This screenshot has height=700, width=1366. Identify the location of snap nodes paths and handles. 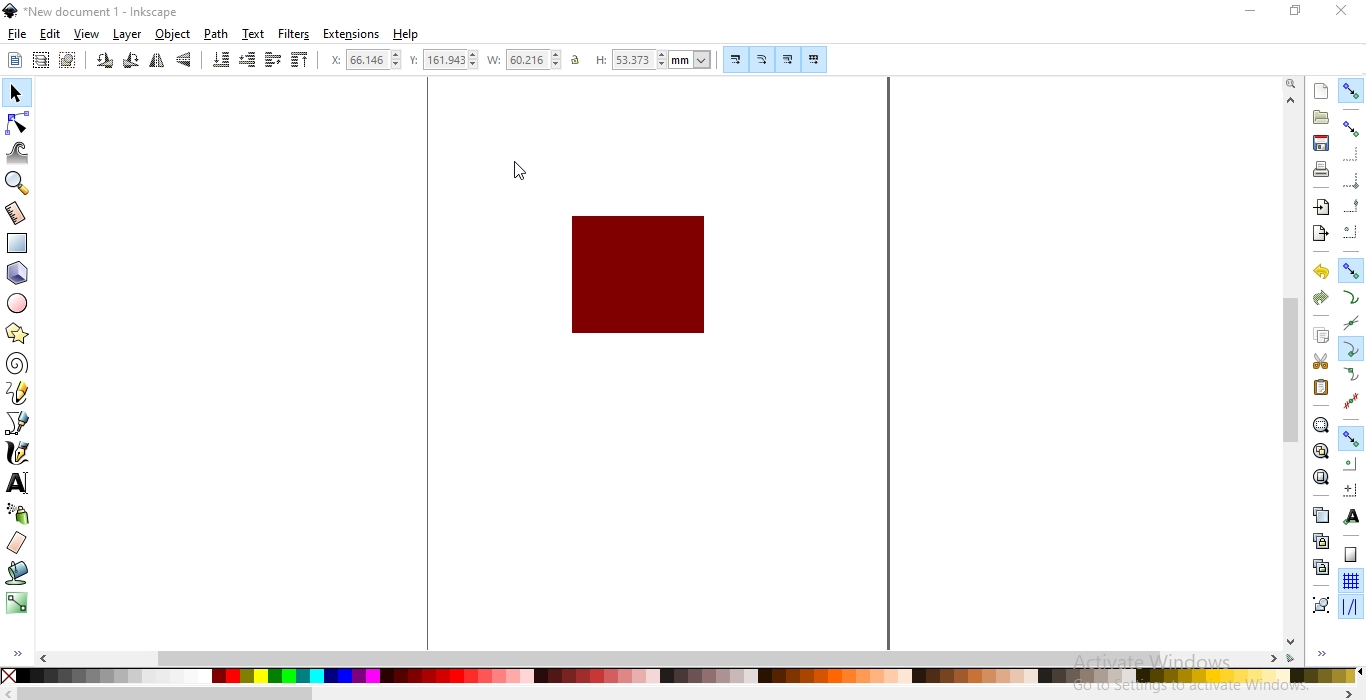
(1352, 271).